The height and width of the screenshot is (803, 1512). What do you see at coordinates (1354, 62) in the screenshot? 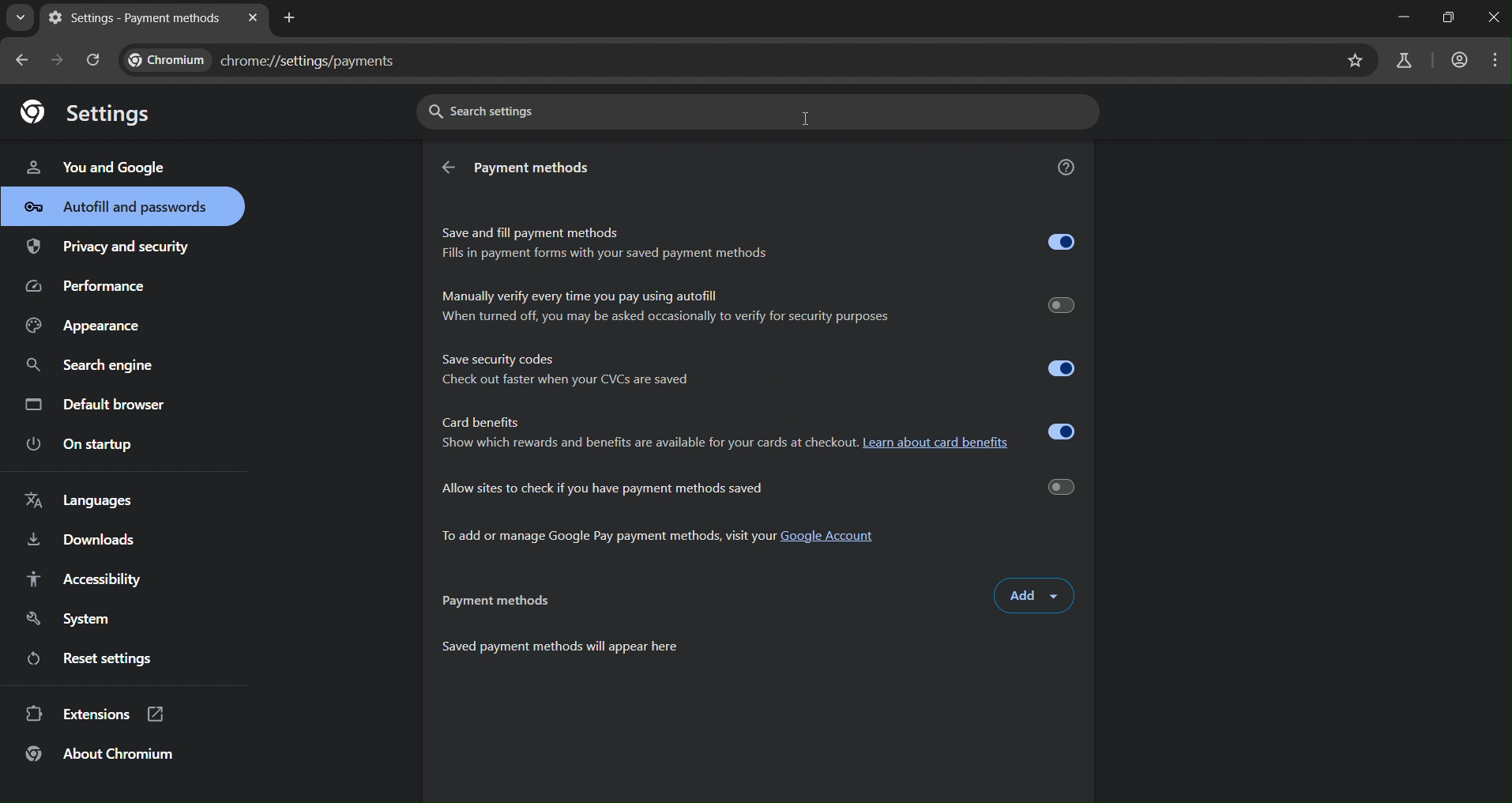
I see `bookmark page` at bounding box center [1354, 62].